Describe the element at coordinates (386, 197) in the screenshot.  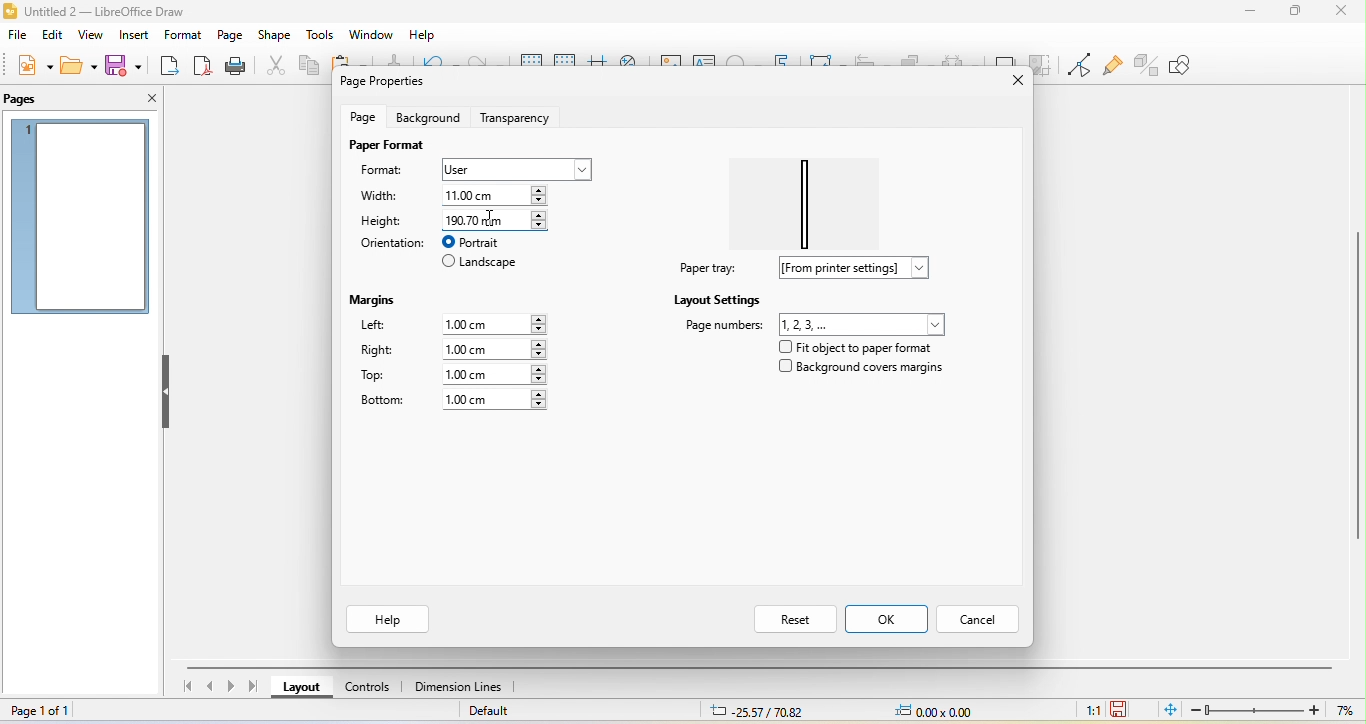
I see `width` at that location.